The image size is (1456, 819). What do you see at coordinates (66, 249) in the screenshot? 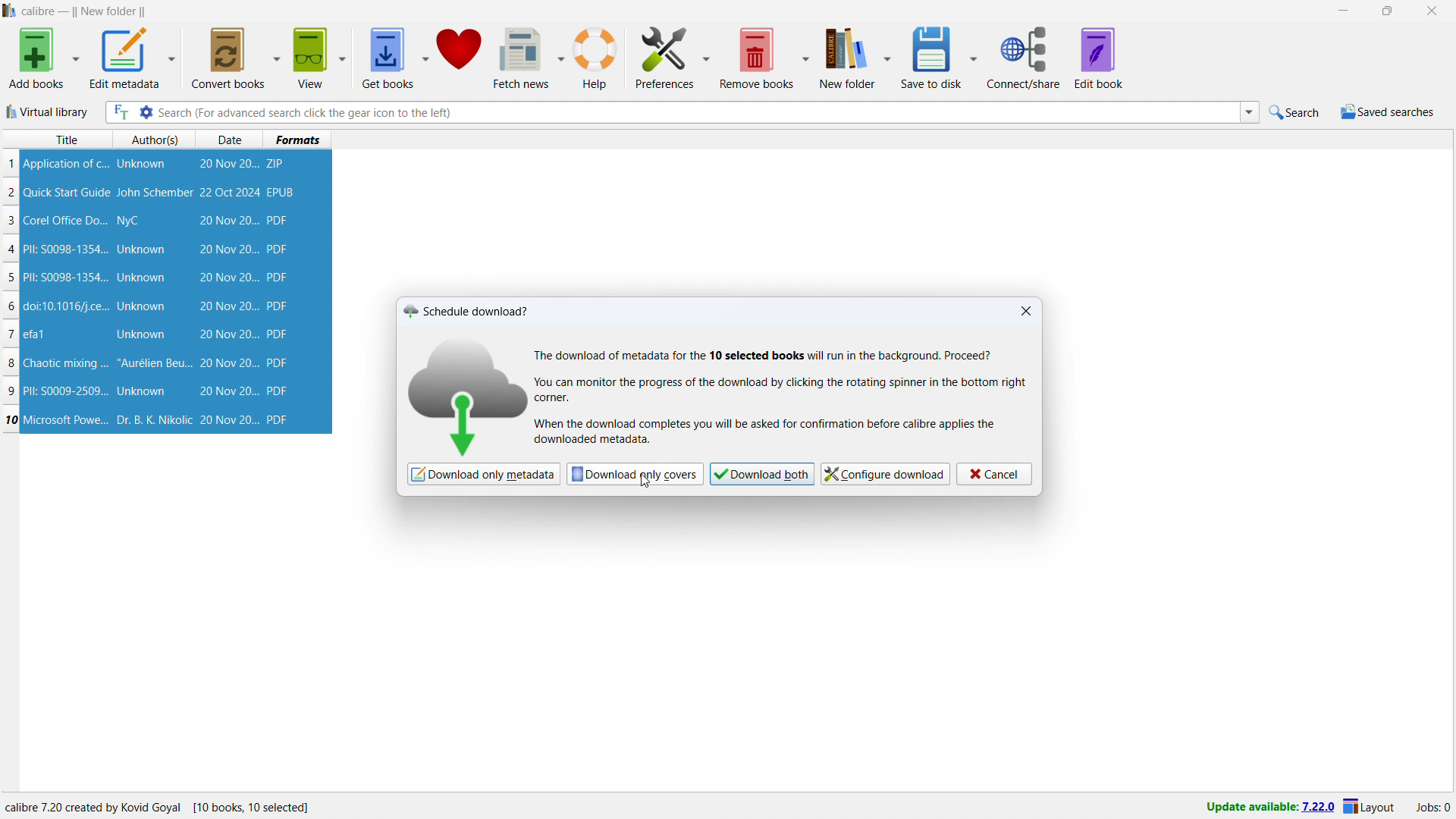
I see `PII: S0098-1354...` at bounding box center [66, 249].